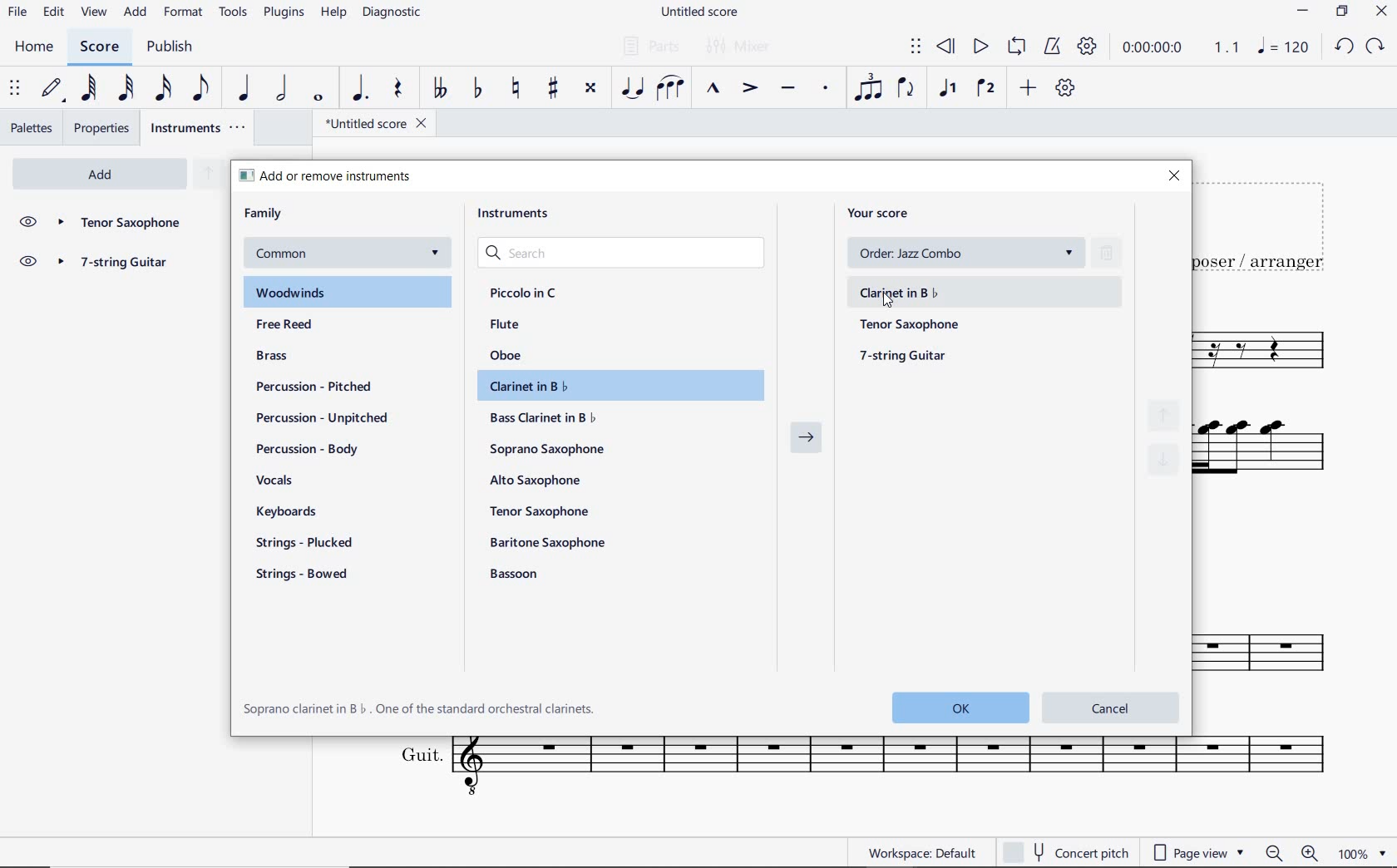 Image resolution: width=1397 pixels, height=868 pixels. What do you see at coordinates (787, 91) in the screenshot?
I see `TENUTO` at bounding box center [787, 91].